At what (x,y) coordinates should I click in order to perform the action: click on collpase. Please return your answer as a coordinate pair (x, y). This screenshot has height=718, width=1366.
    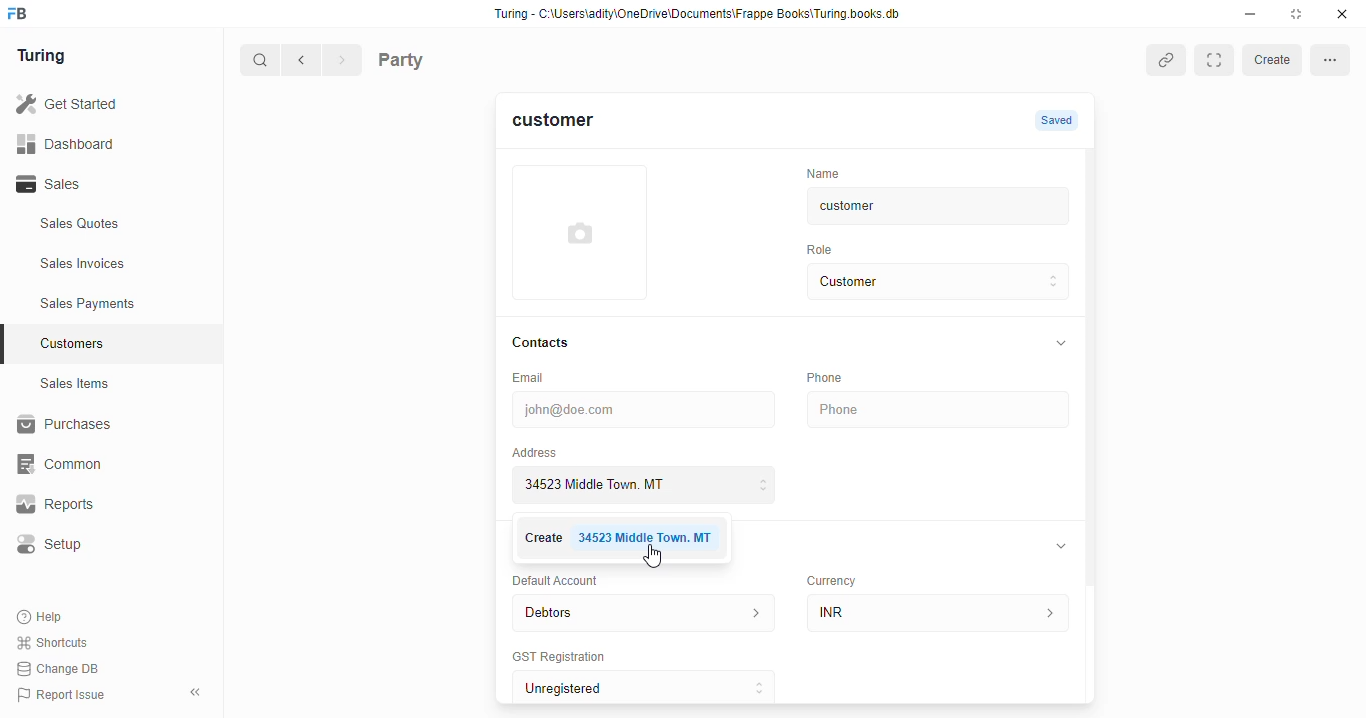
    Looking at the image, I should click on (195, 692).